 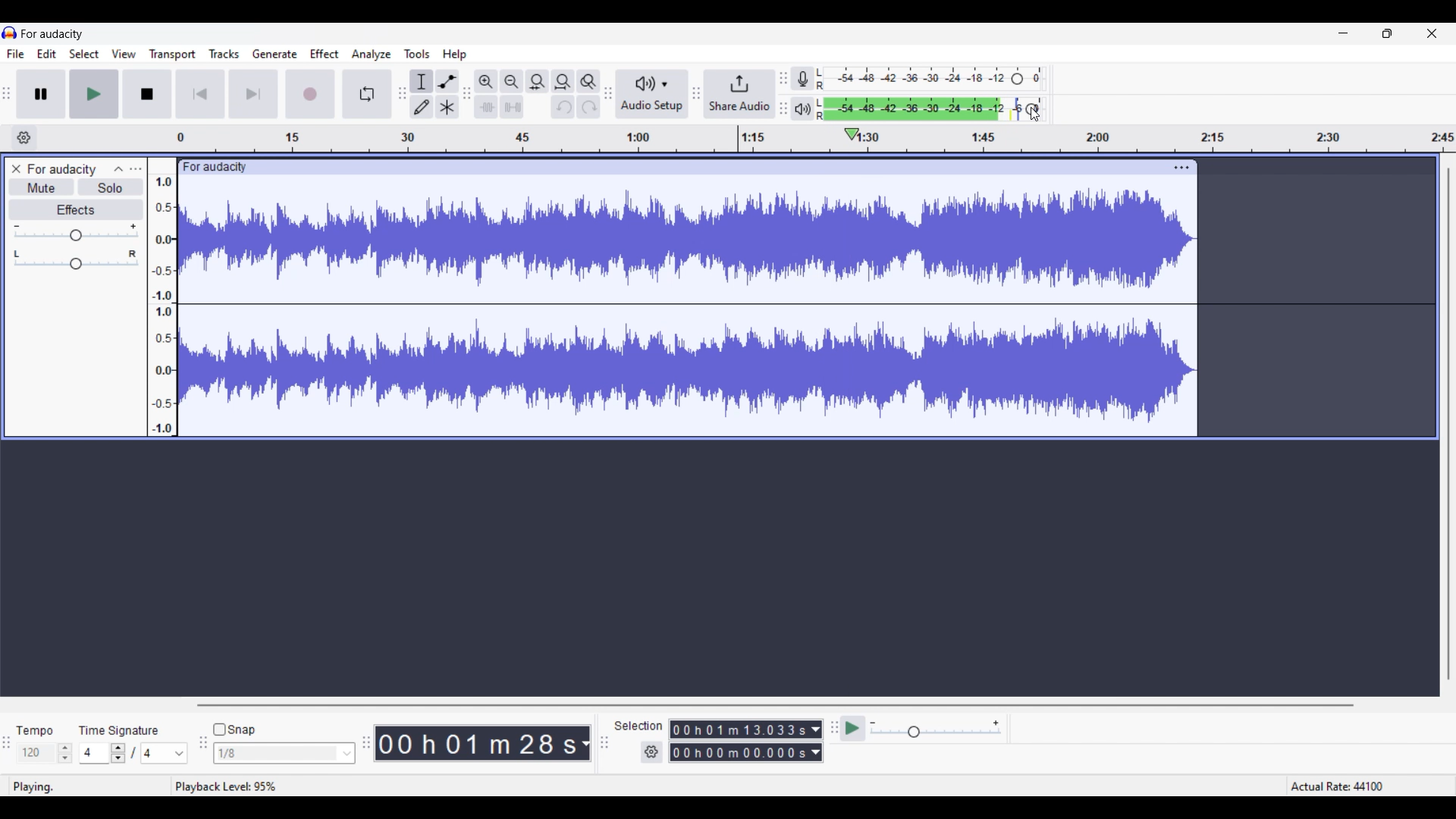 What do you see at coordinates (422, 107) in the screenshot?
I see `Draw tool` at bounding box center [422, 107].